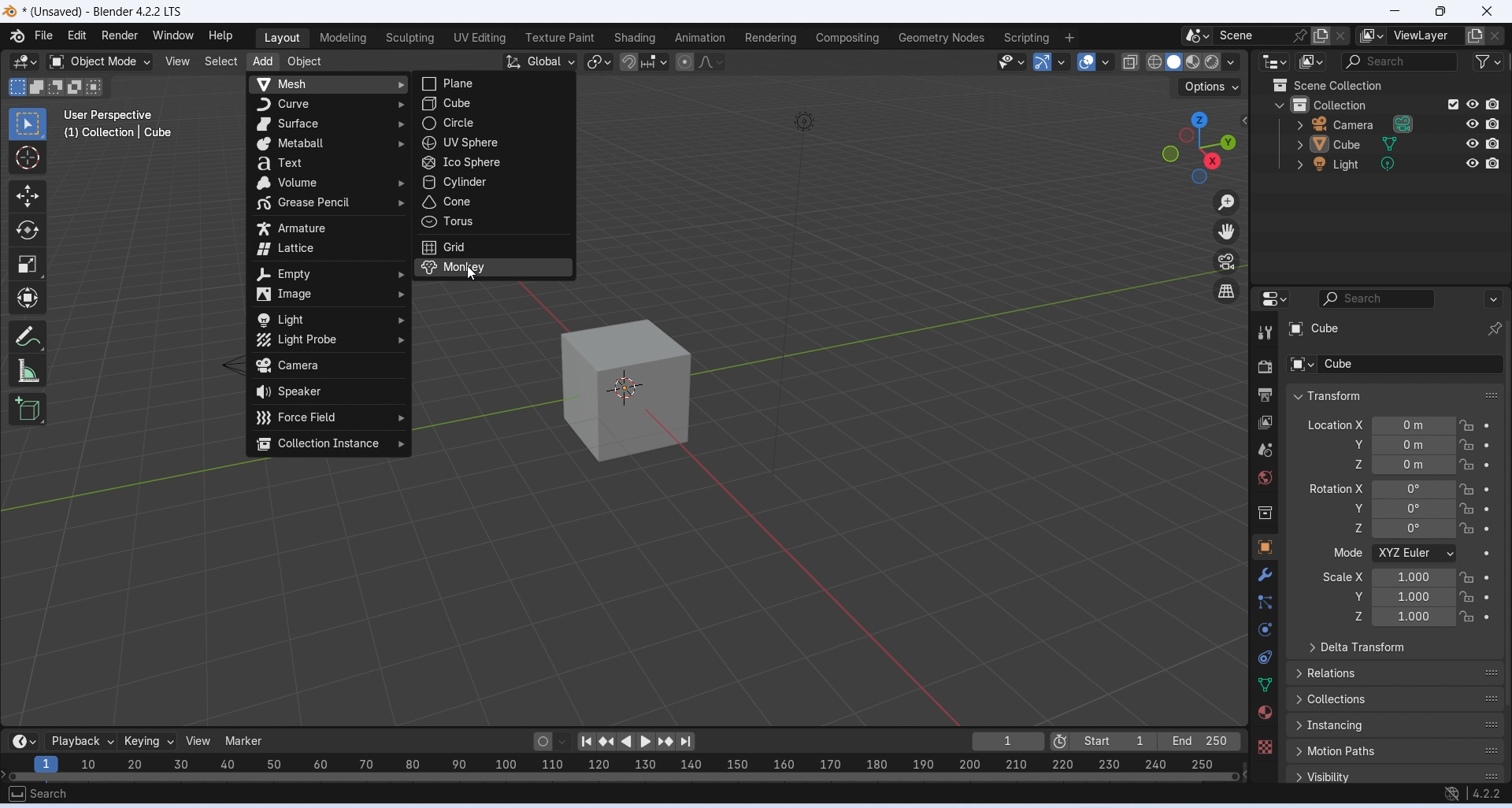  I want to click on euler rotation, so click(1414, 528).